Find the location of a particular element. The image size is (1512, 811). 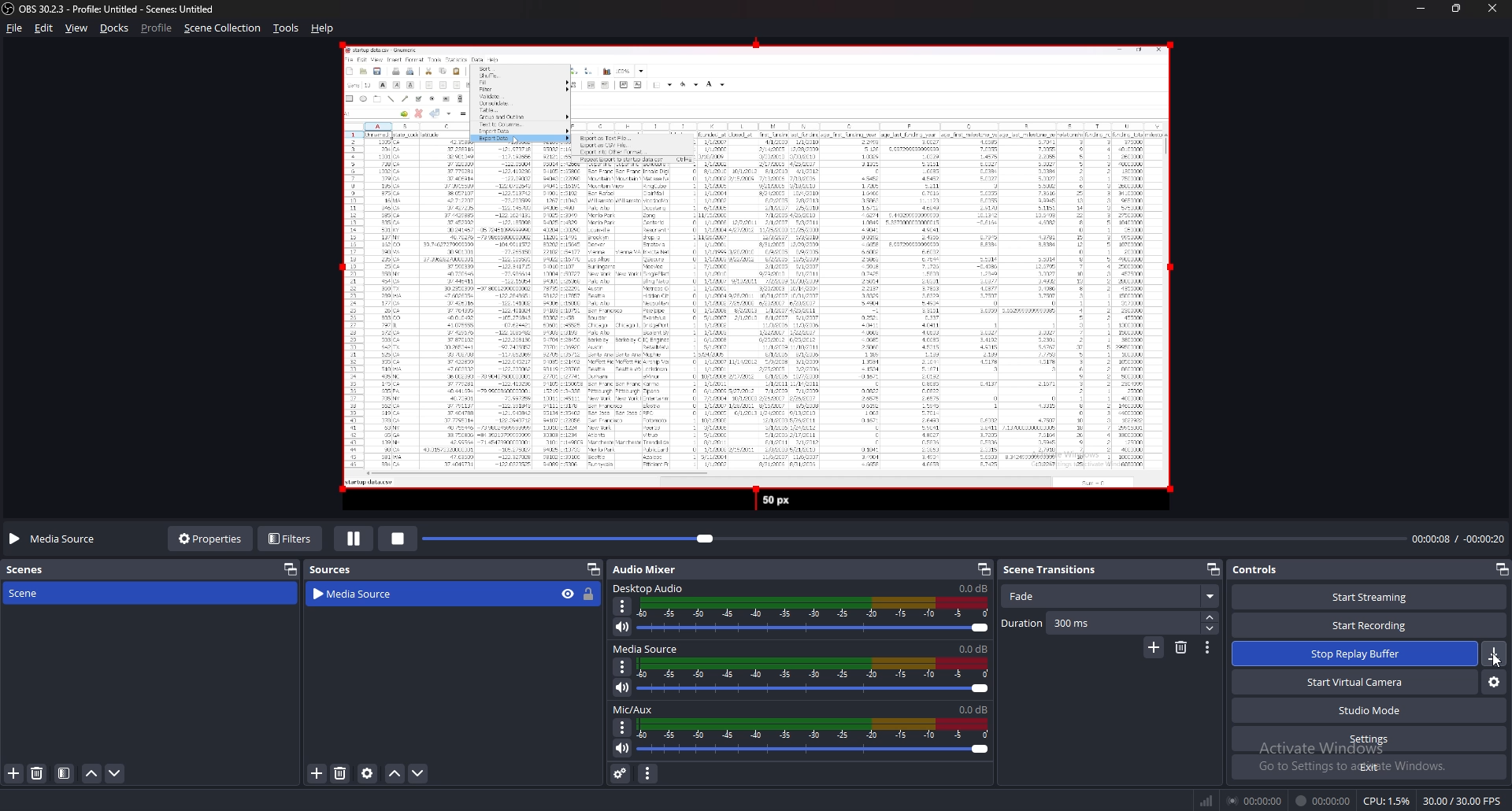

desktop audio is located at coordinates (651, 588).